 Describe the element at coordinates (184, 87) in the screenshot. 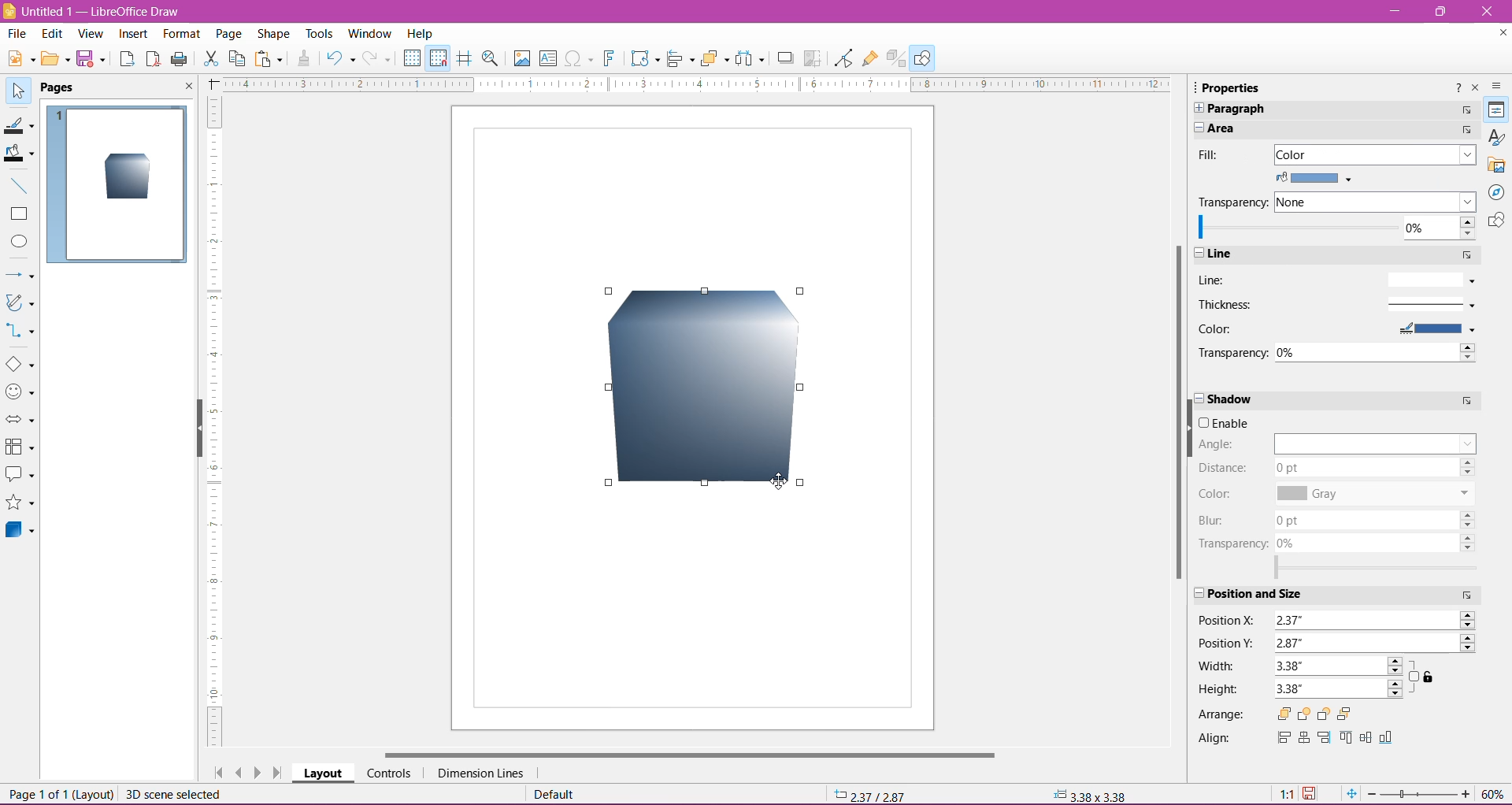

I see `Close Pane` at that location.